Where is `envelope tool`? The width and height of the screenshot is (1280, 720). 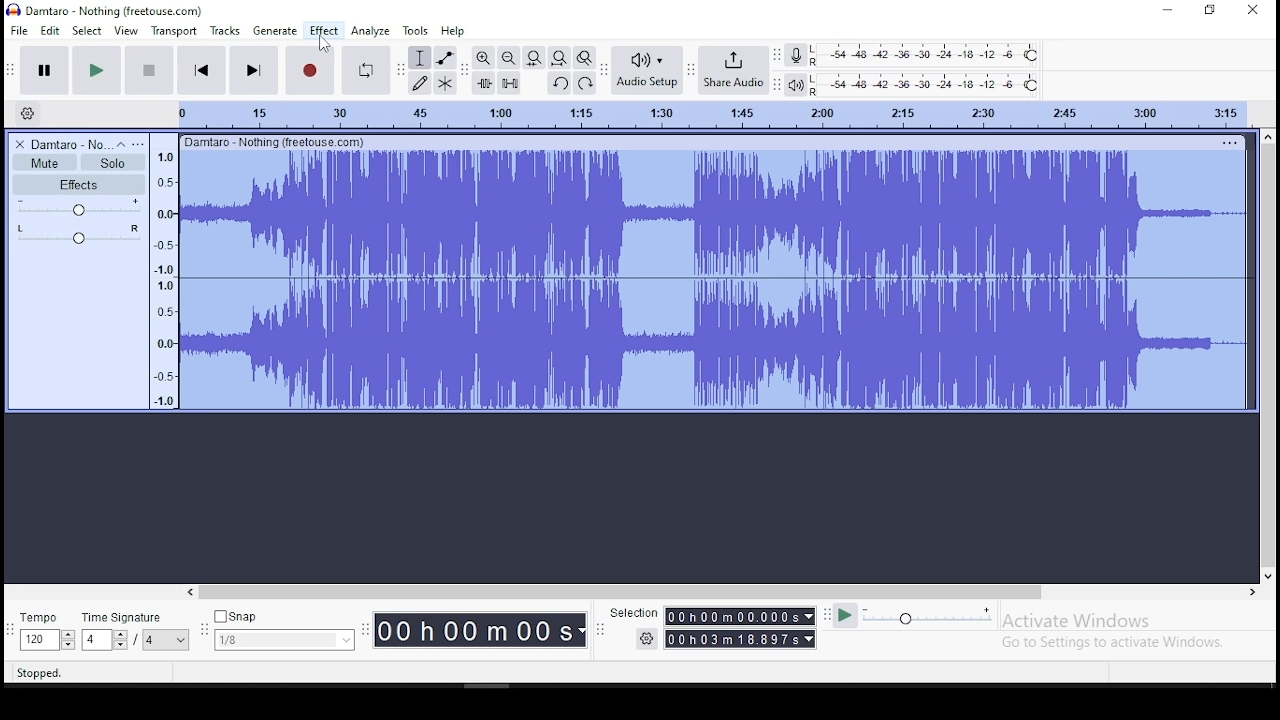 envelope tool is located at coordinates (445, 58).